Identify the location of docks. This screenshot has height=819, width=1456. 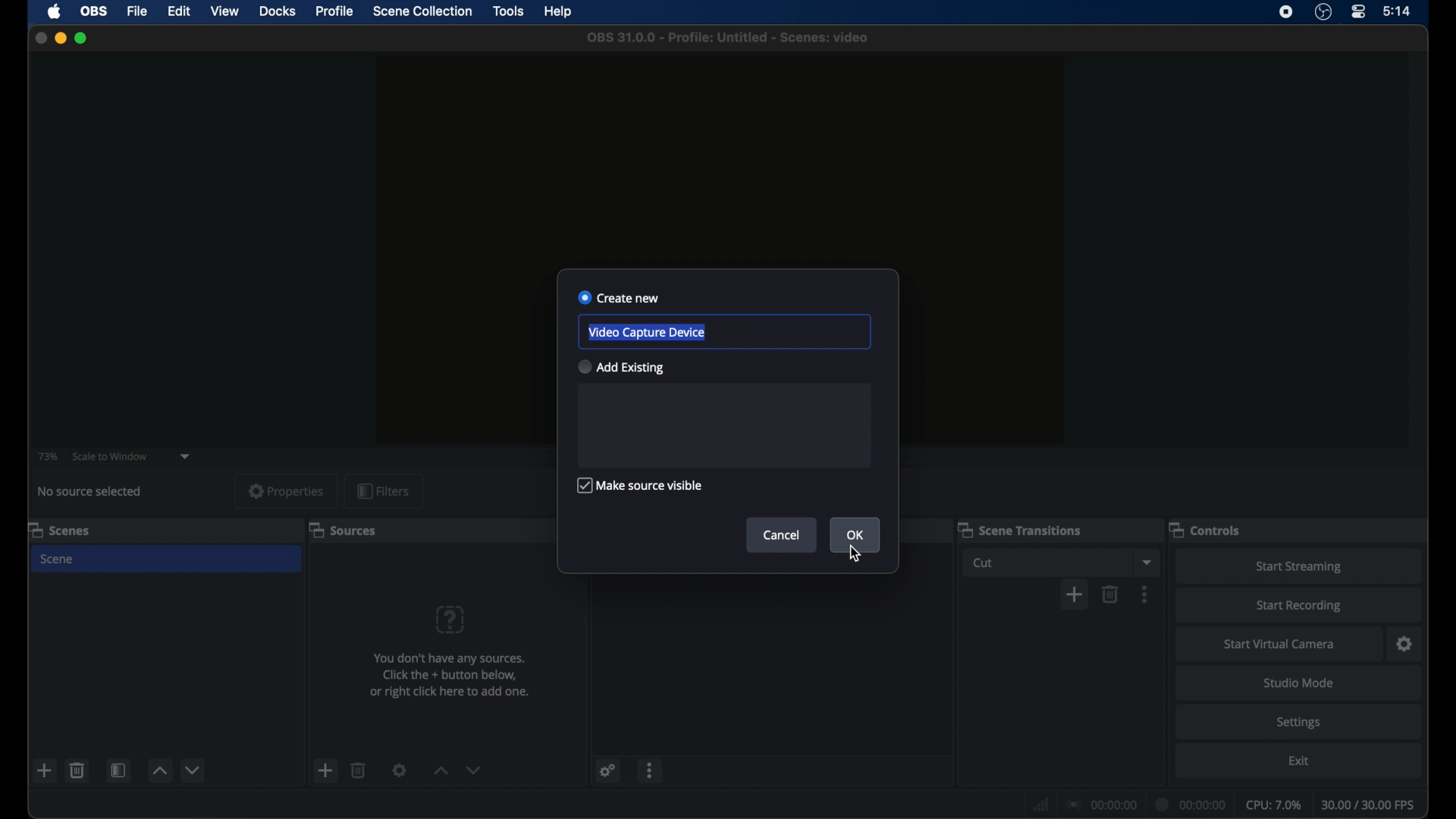
(278, 11).